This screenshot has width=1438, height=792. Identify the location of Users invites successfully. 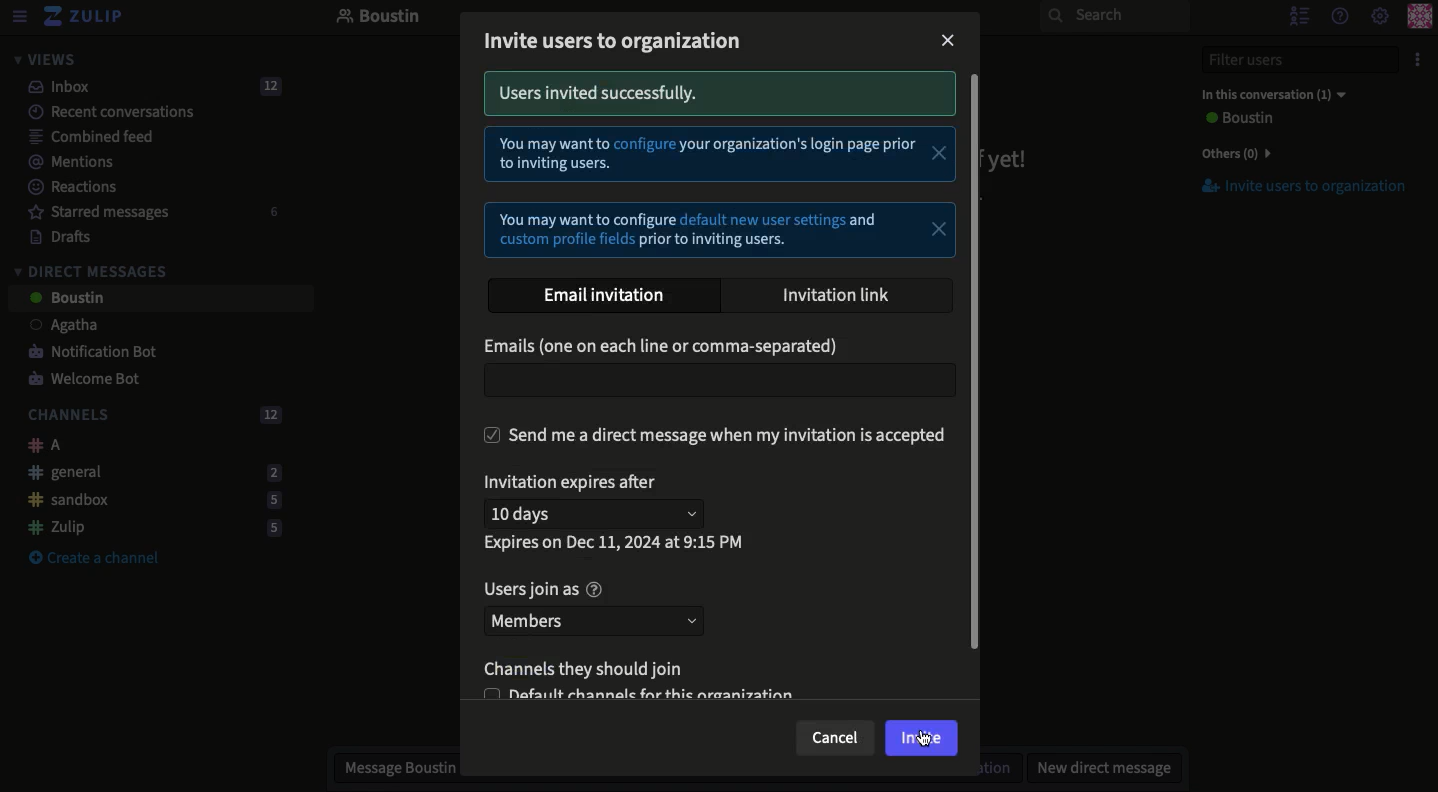
(718, 96).